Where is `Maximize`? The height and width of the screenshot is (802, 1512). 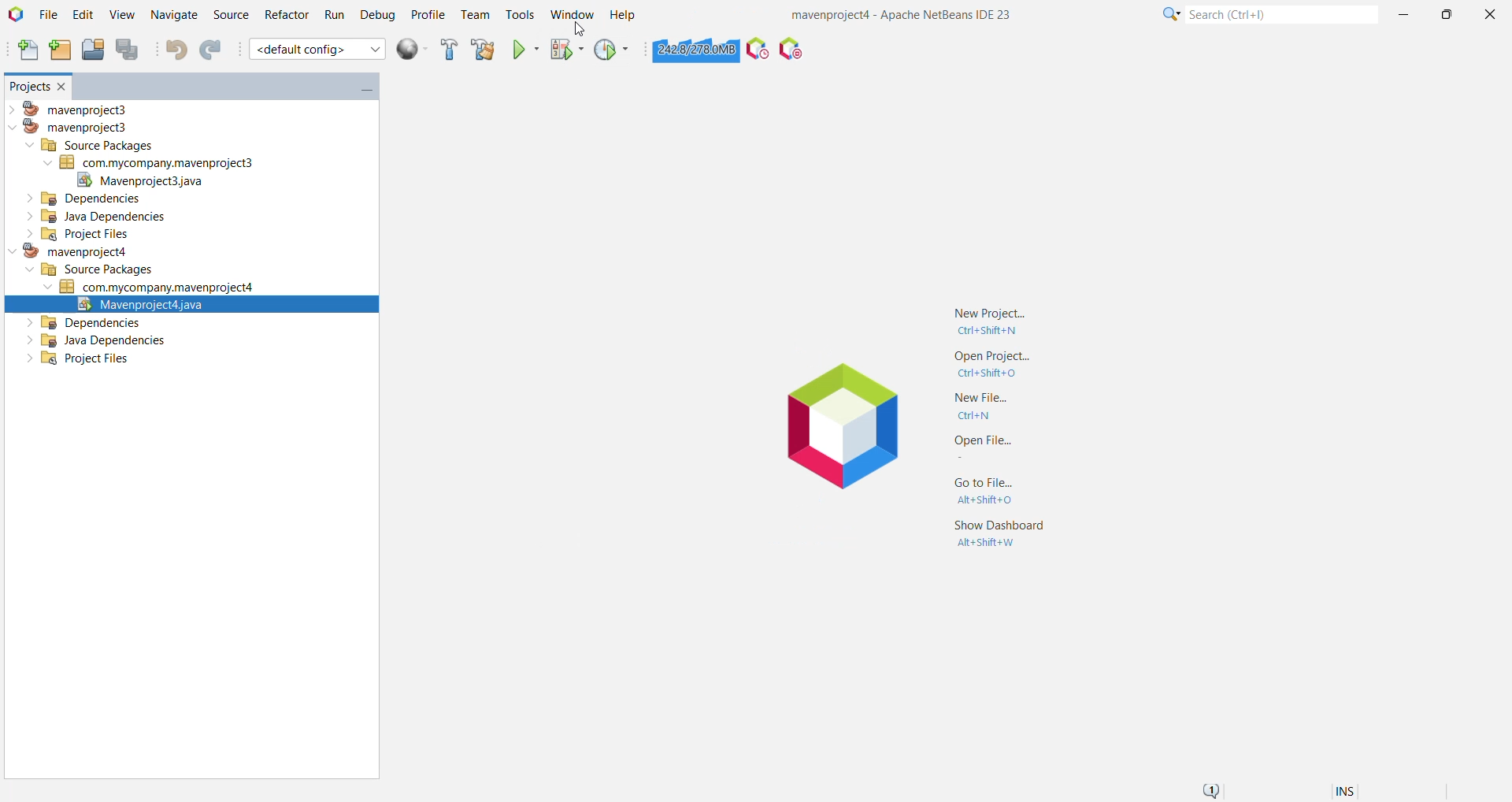 Maximize is located at coordinates (1446, 15).